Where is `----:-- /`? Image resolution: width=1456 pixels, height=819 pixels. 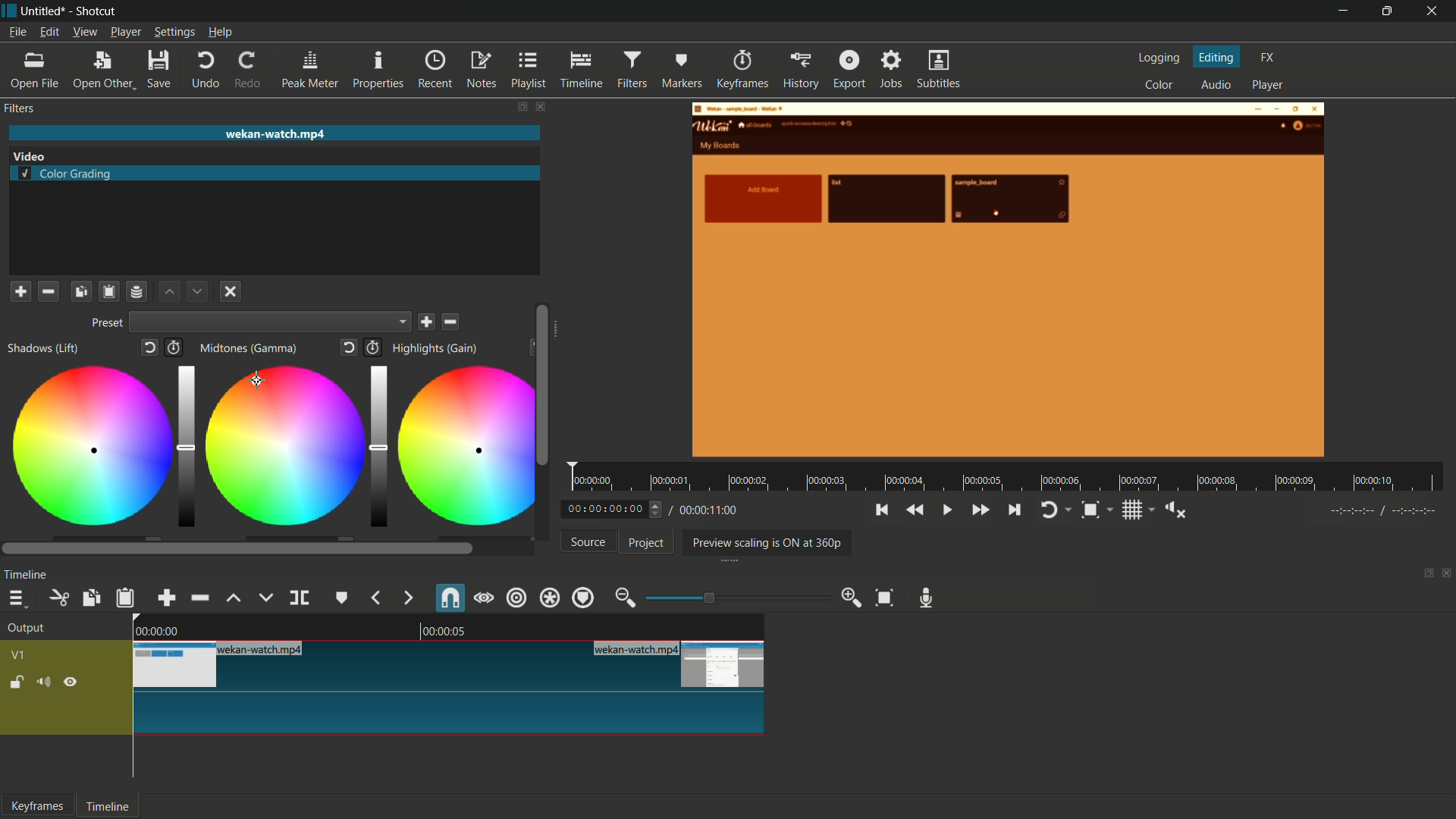
----:-- / is located at coordinates (1391, 513).